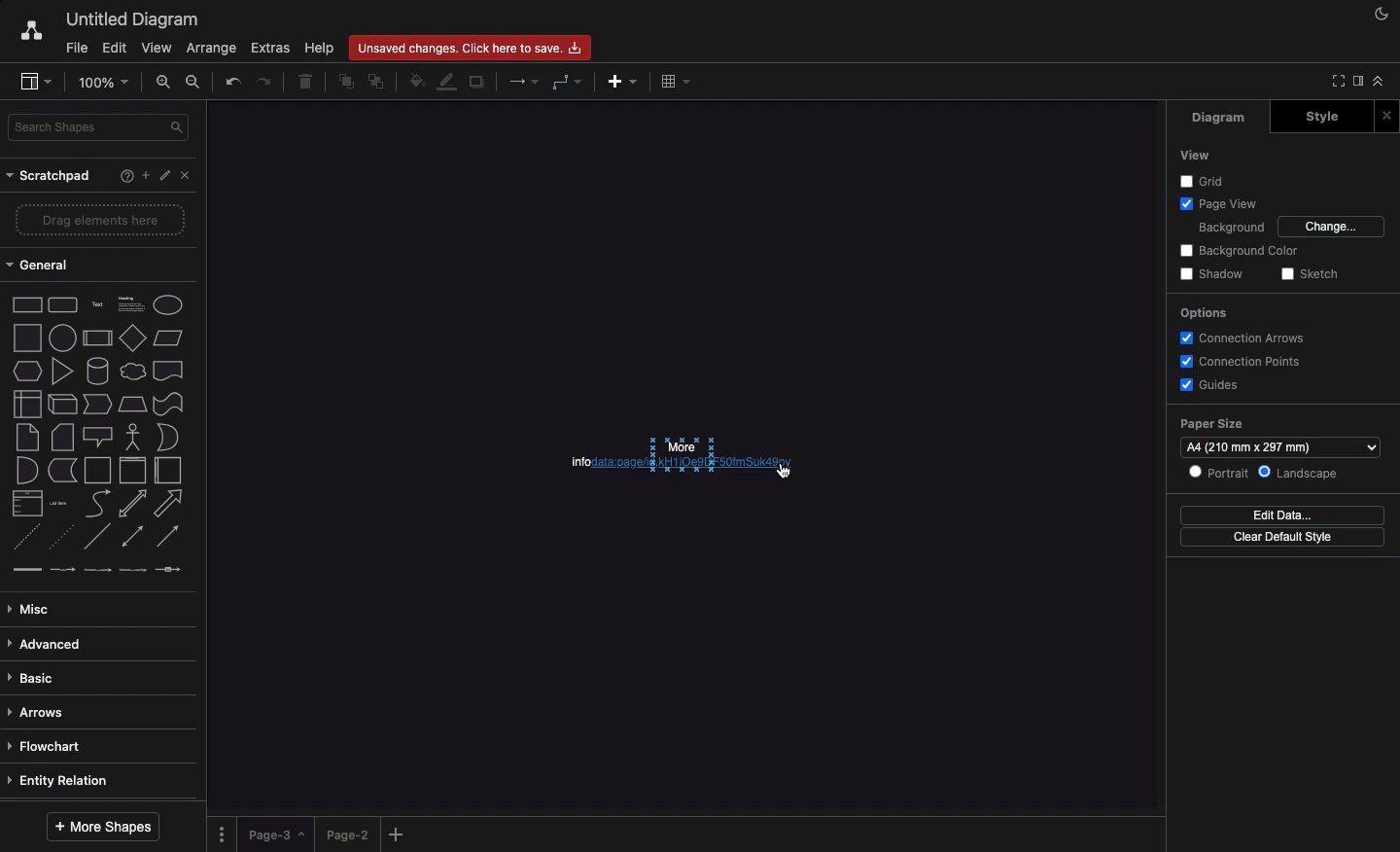 This screenshot has width=1400, height=852. What do you see at coordinates (306, 83) in the screenshot?
I see `Trash` at bounding box center [306, 83].